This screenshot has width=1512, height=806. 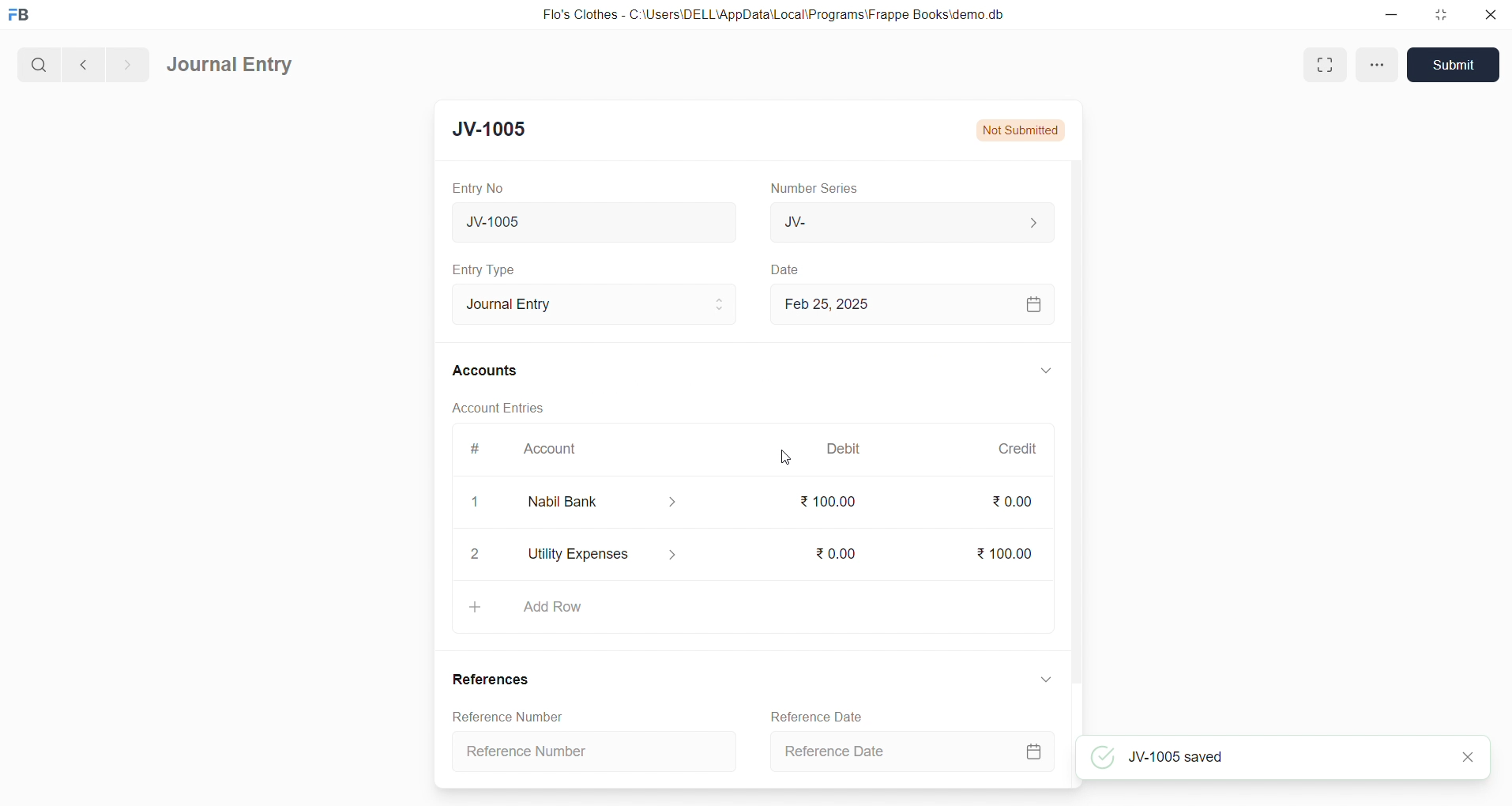 What do you see at coordinates (1328, 63) in the screenshot?
I see `maximize window` at bounding box center [1328, 63].